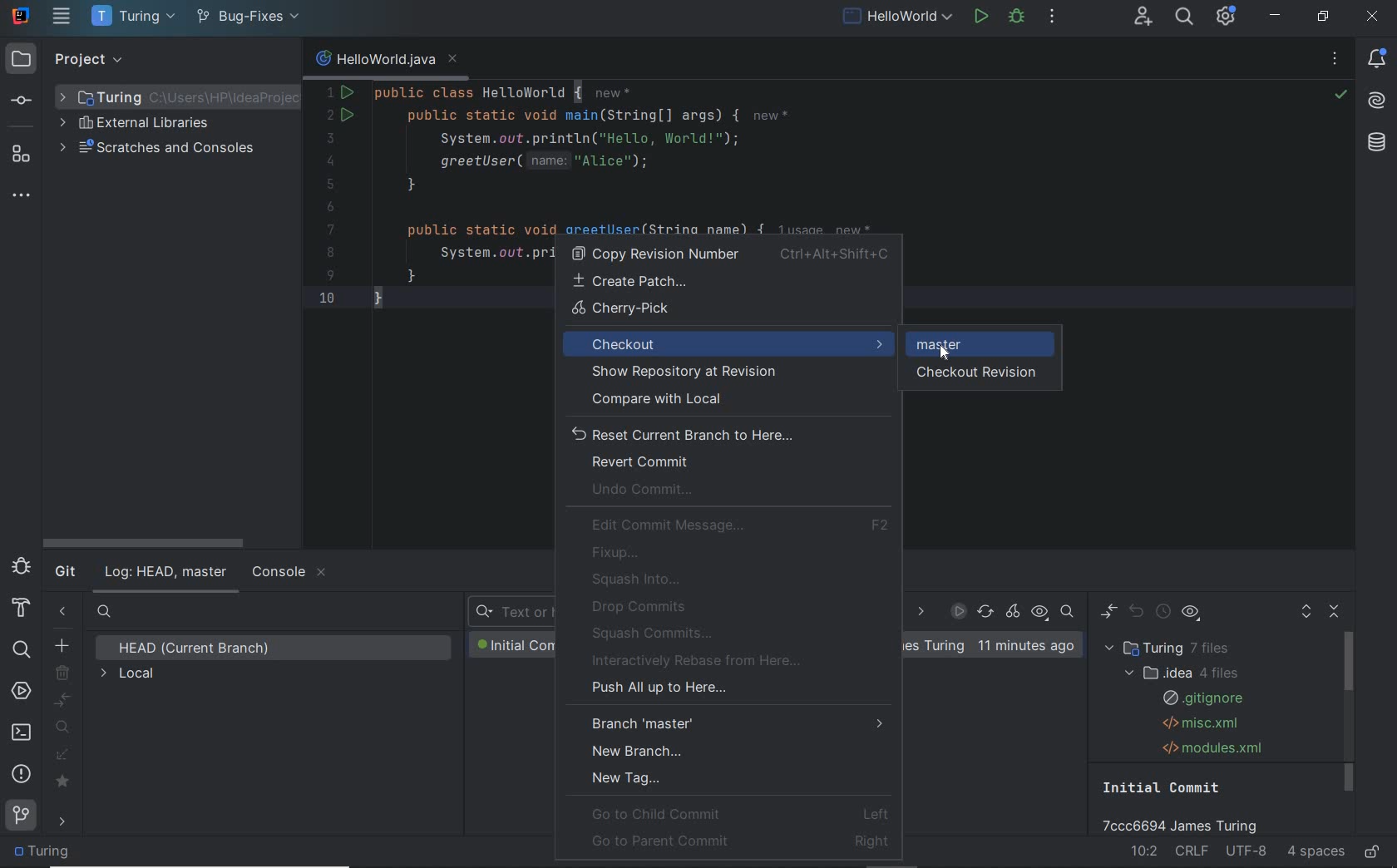 This screenshot has height=868, width=1397. Describe the element at coordinates (639, 750) in the screenshot. I see `new branch` at that location.